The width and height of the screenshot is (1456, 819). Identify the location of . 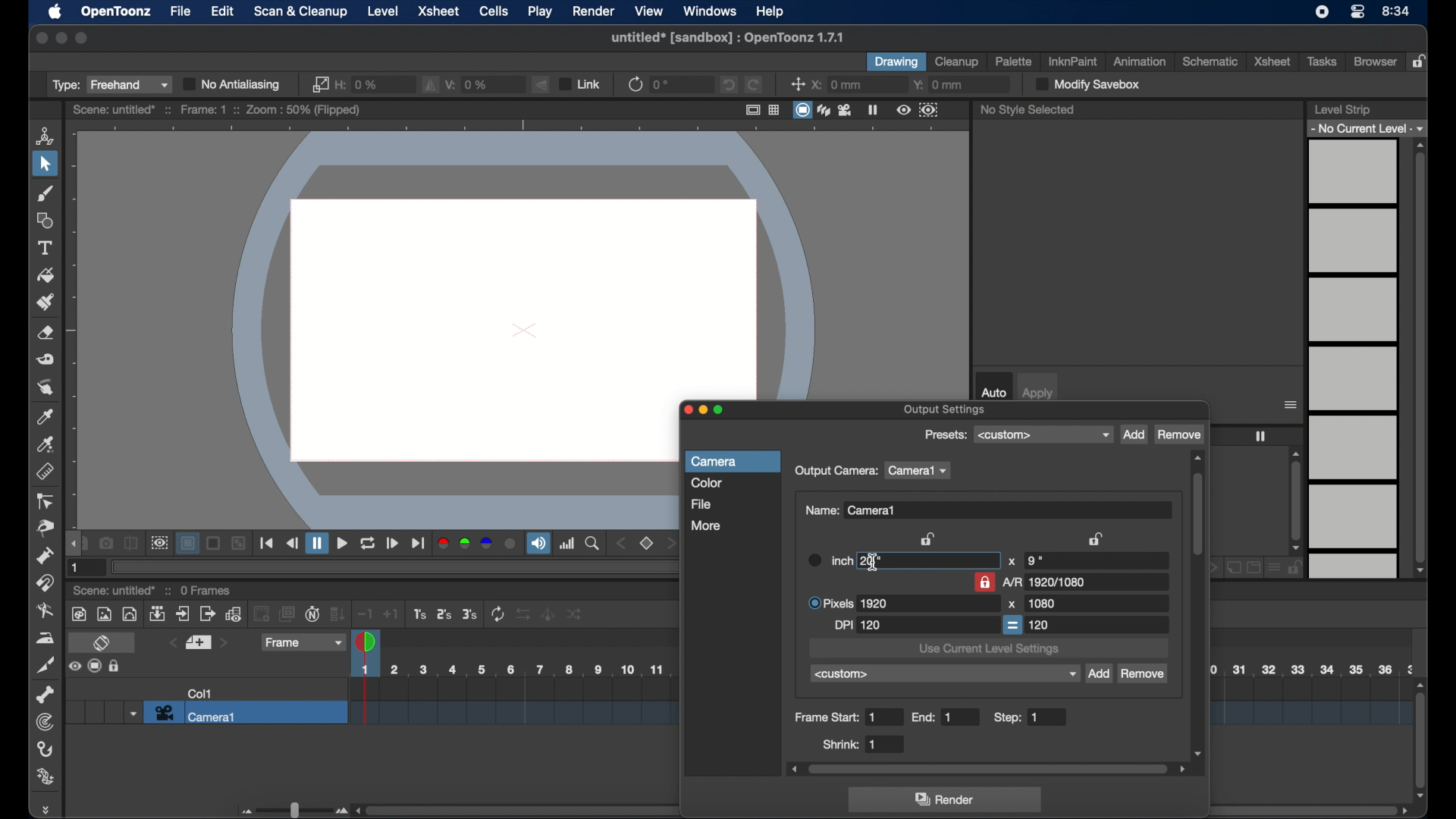
(419, 613).